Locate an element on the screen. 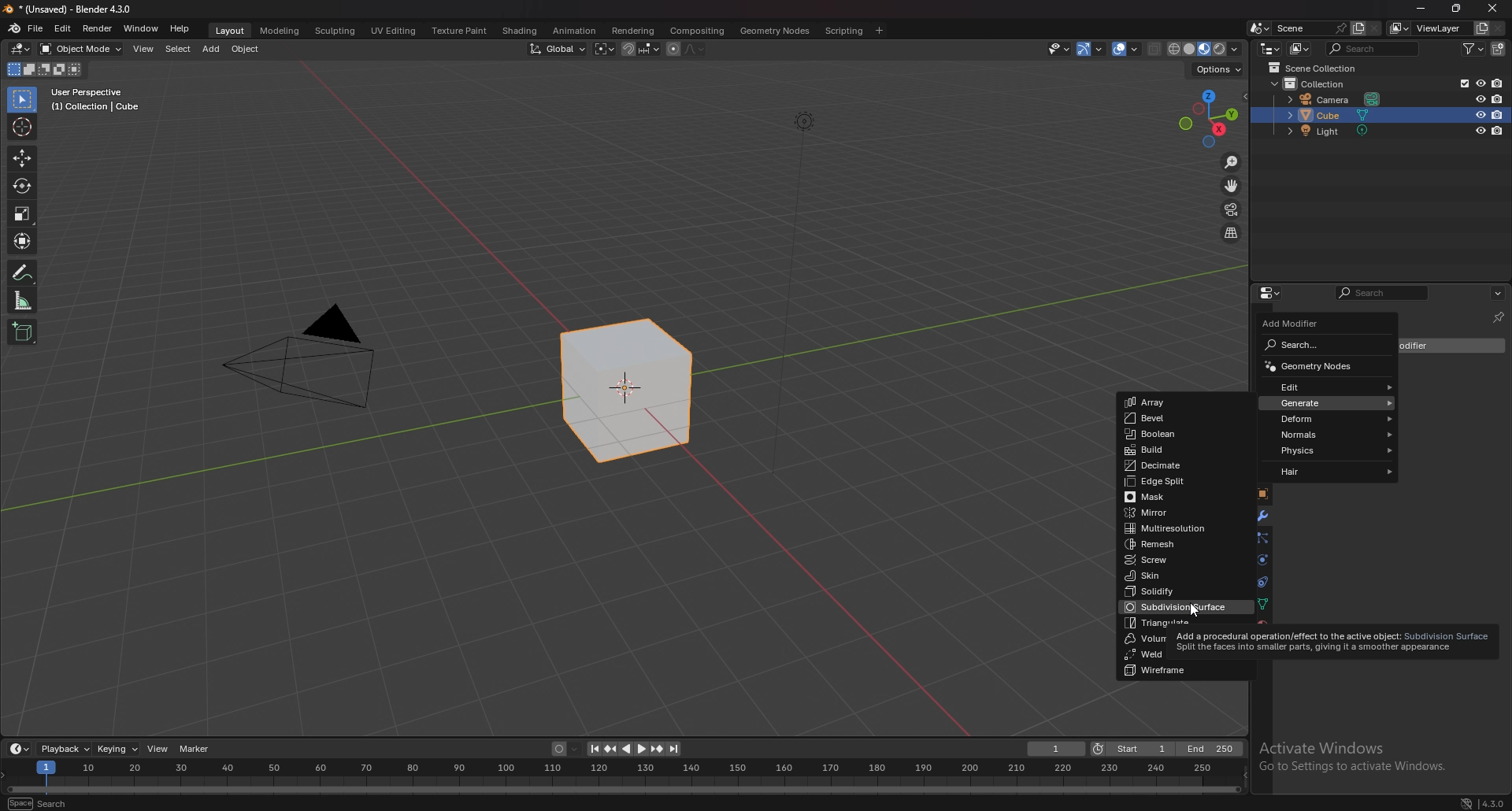 The width and height of the screenshot is (1512, 811). resize is located at coordinates (1455, 8).